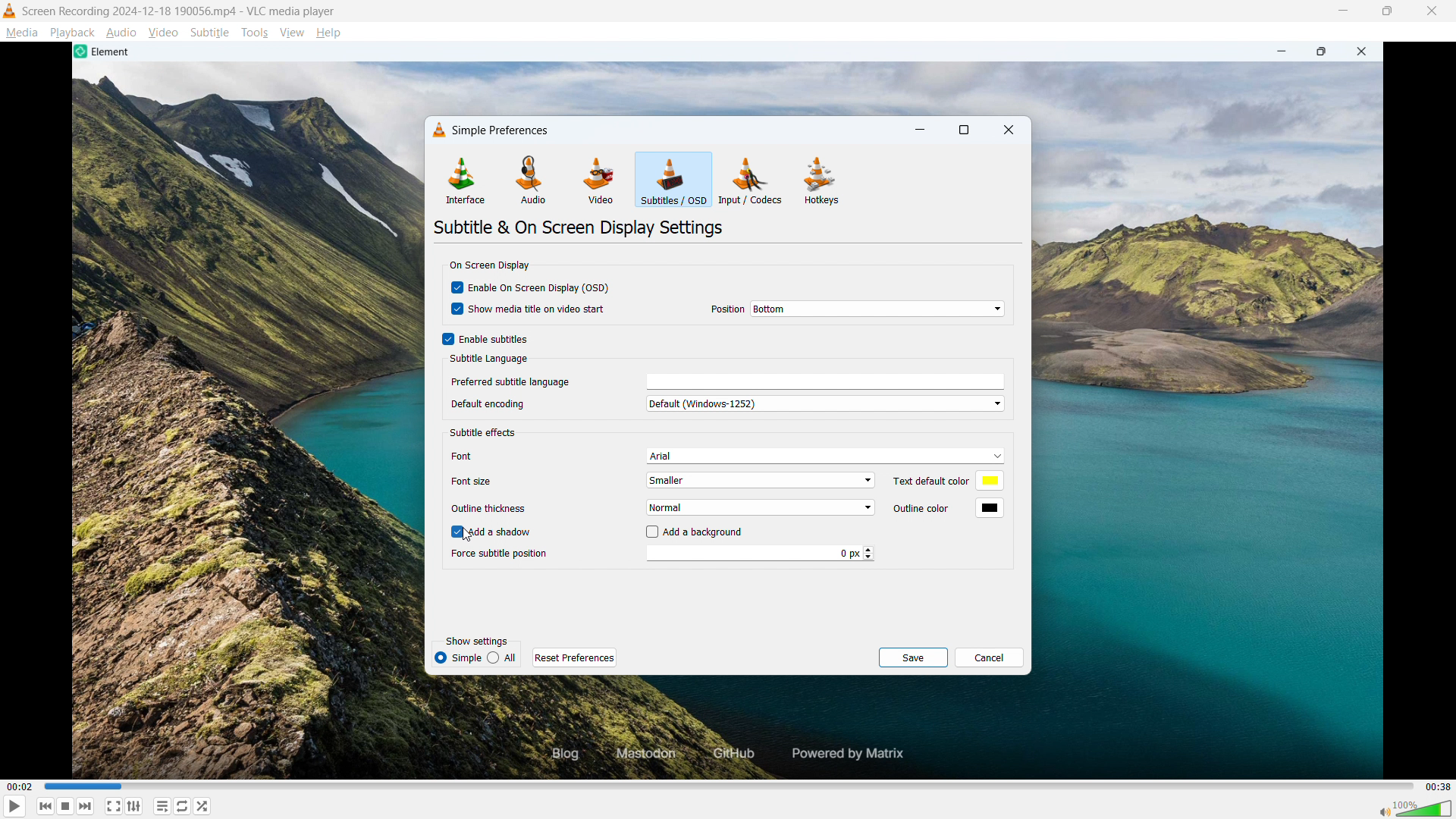 The image size is (1456, 819). I want to click on 00 : 38, so click(1436, 786).